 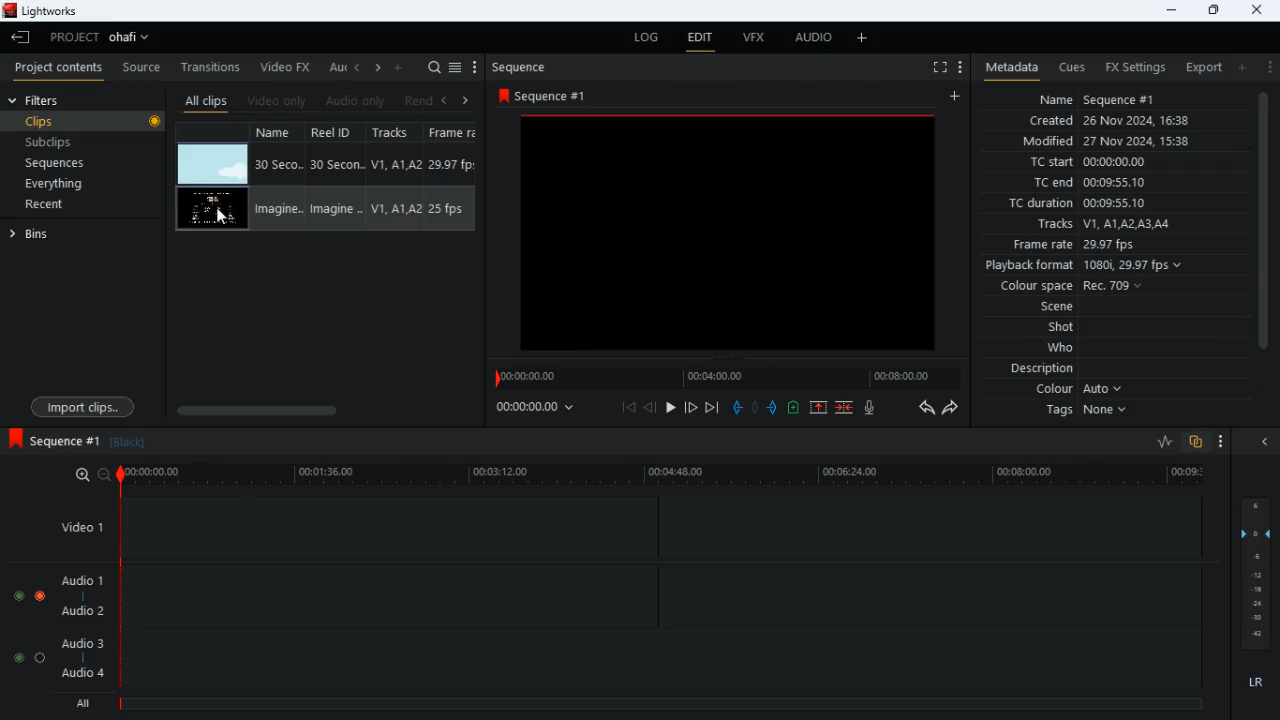 I want to click on export, so click(x=1205, y=67).